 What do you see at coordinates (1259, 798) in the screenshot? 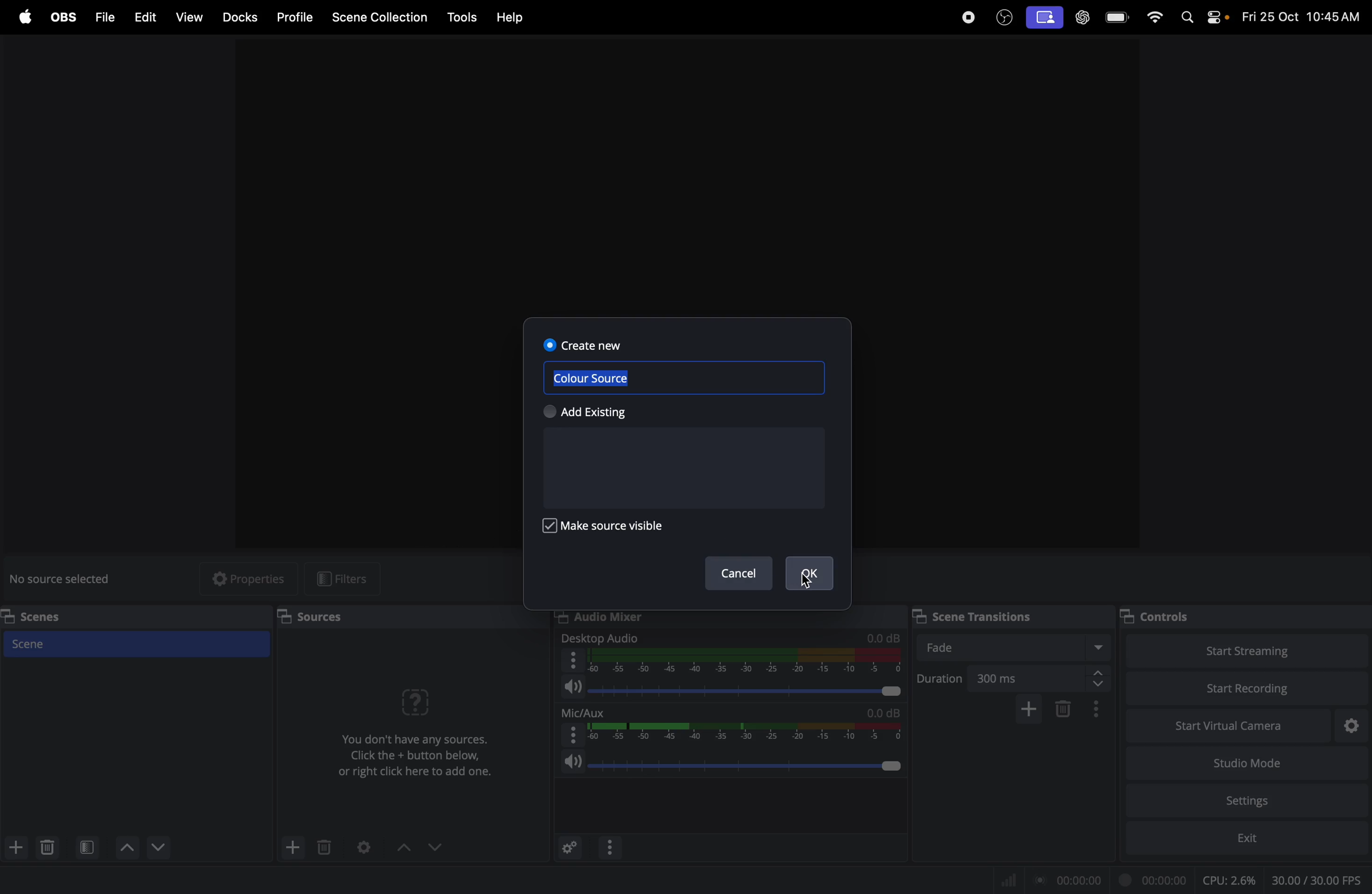
I see `setting` at bounding box center [1259, 798].